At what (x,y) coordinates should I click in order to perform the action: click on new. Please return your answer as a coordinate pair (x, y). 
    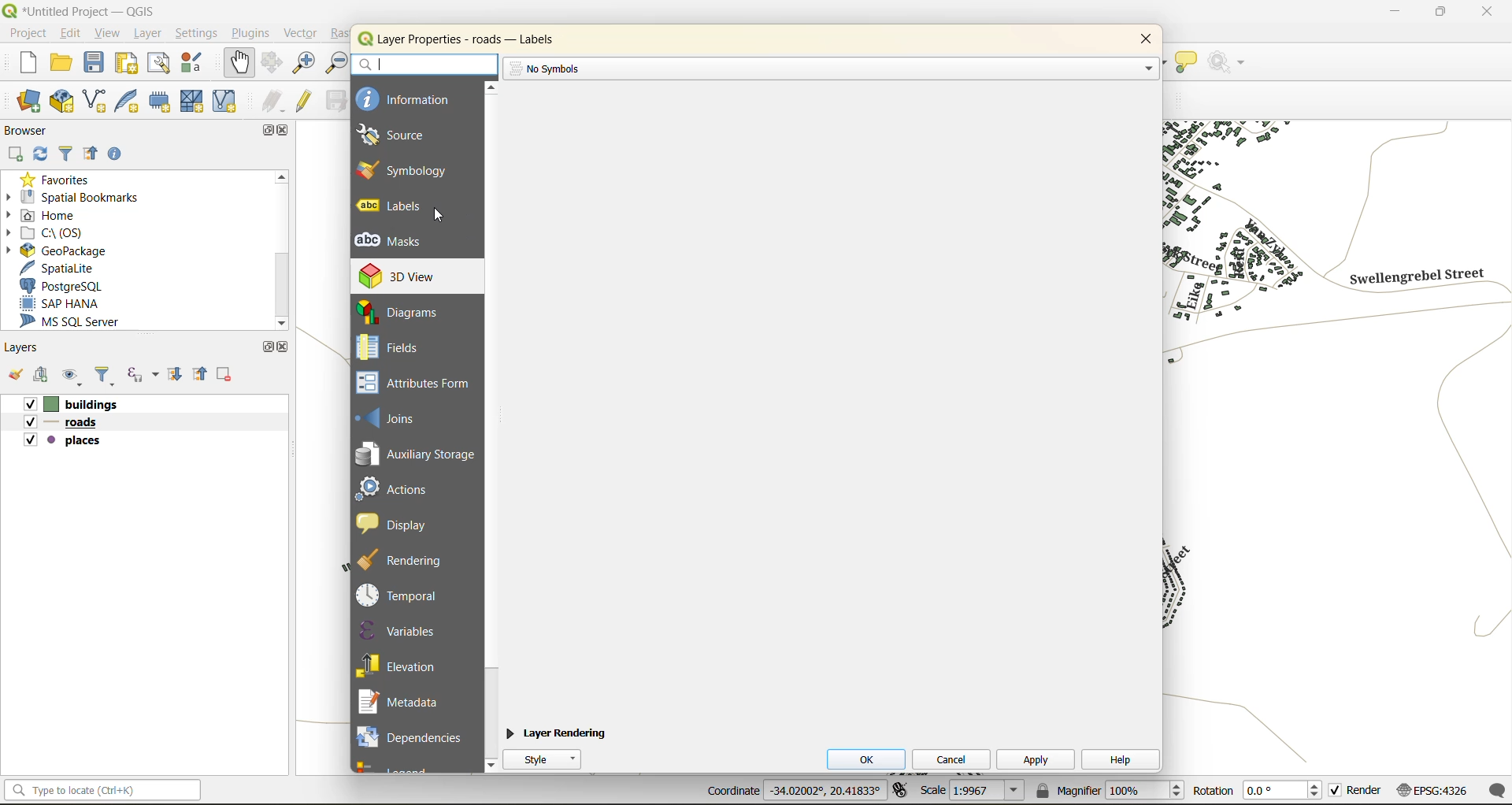
    Looking at the image, I should click on (22, 63).